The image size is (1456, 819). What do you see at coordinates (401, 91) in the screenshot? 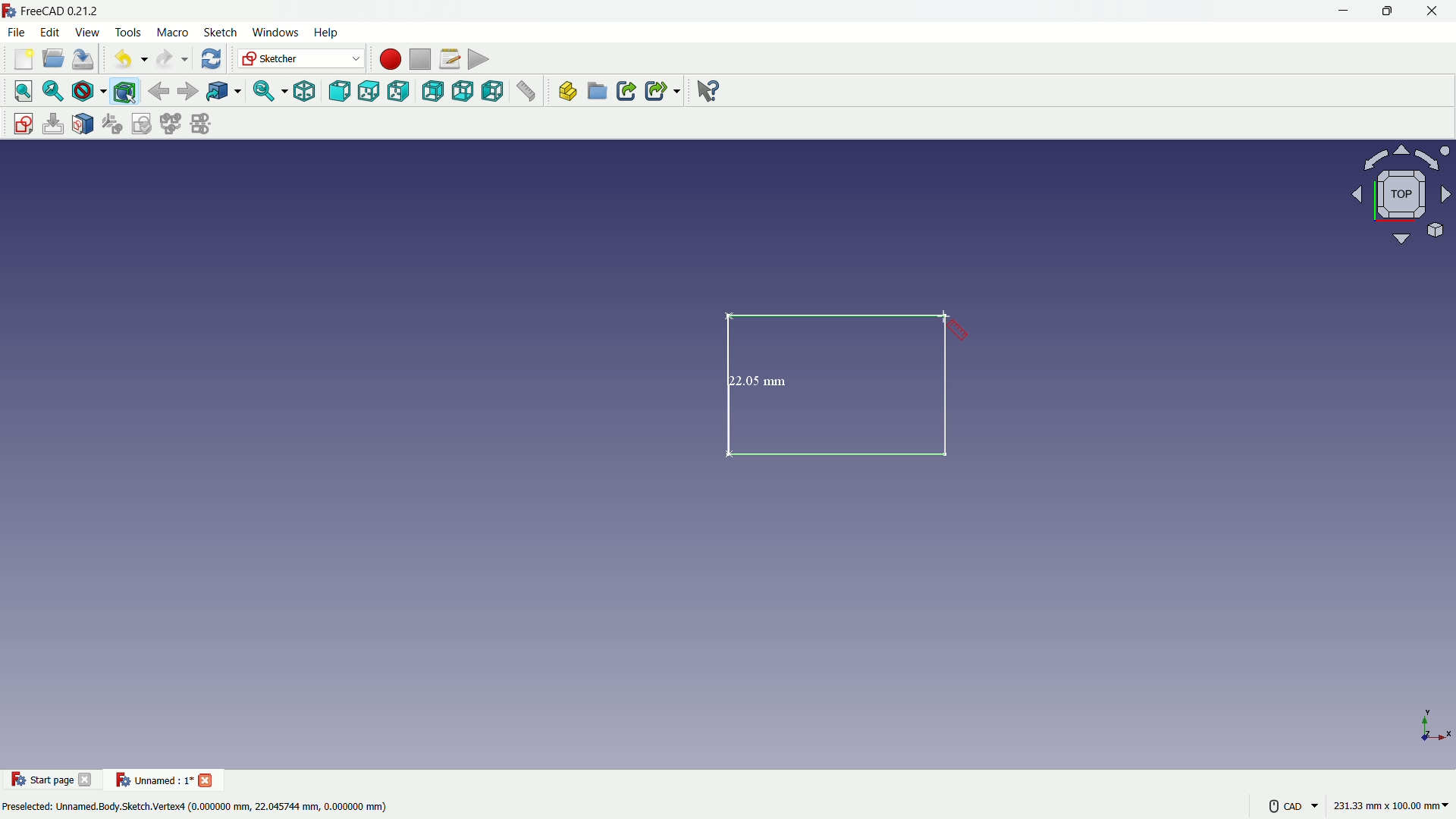
I see `right view` at bounding box center [401, 91].